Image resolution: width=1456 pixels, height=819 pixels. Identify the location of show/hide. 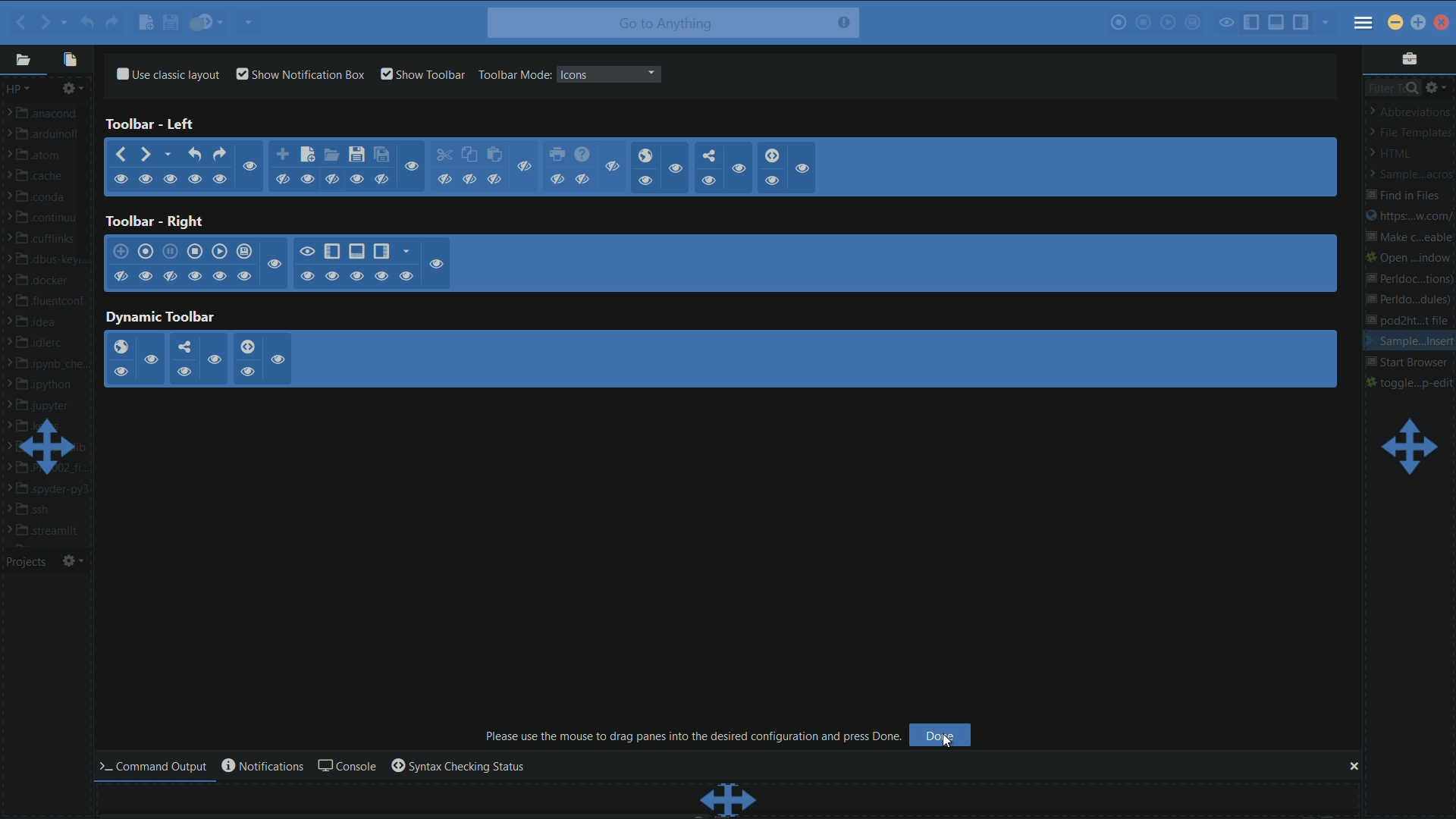
(196, 179).